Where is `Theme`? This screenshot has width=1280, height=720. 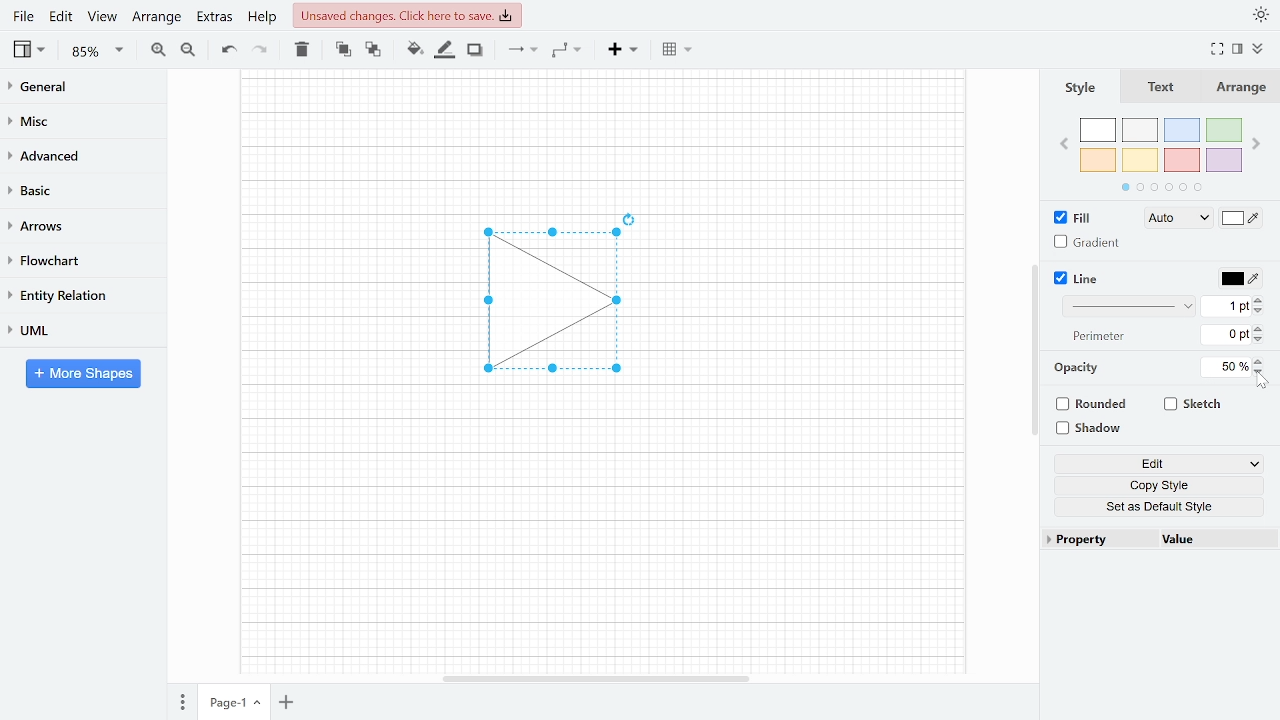 Theme is located at coordinates (1262, 14).